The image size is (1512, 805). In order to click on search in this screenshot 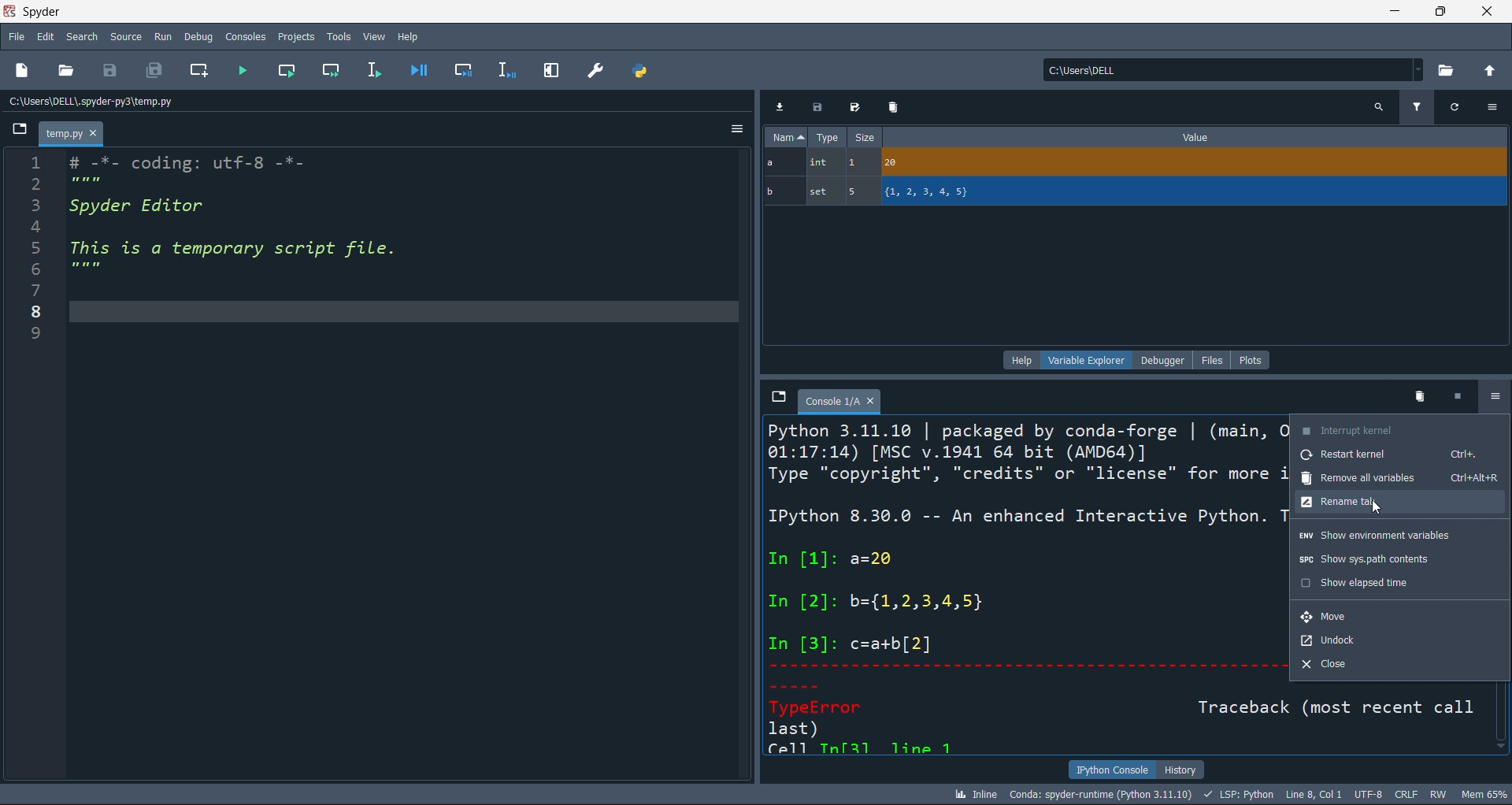, I will do `click(80, 37)`.